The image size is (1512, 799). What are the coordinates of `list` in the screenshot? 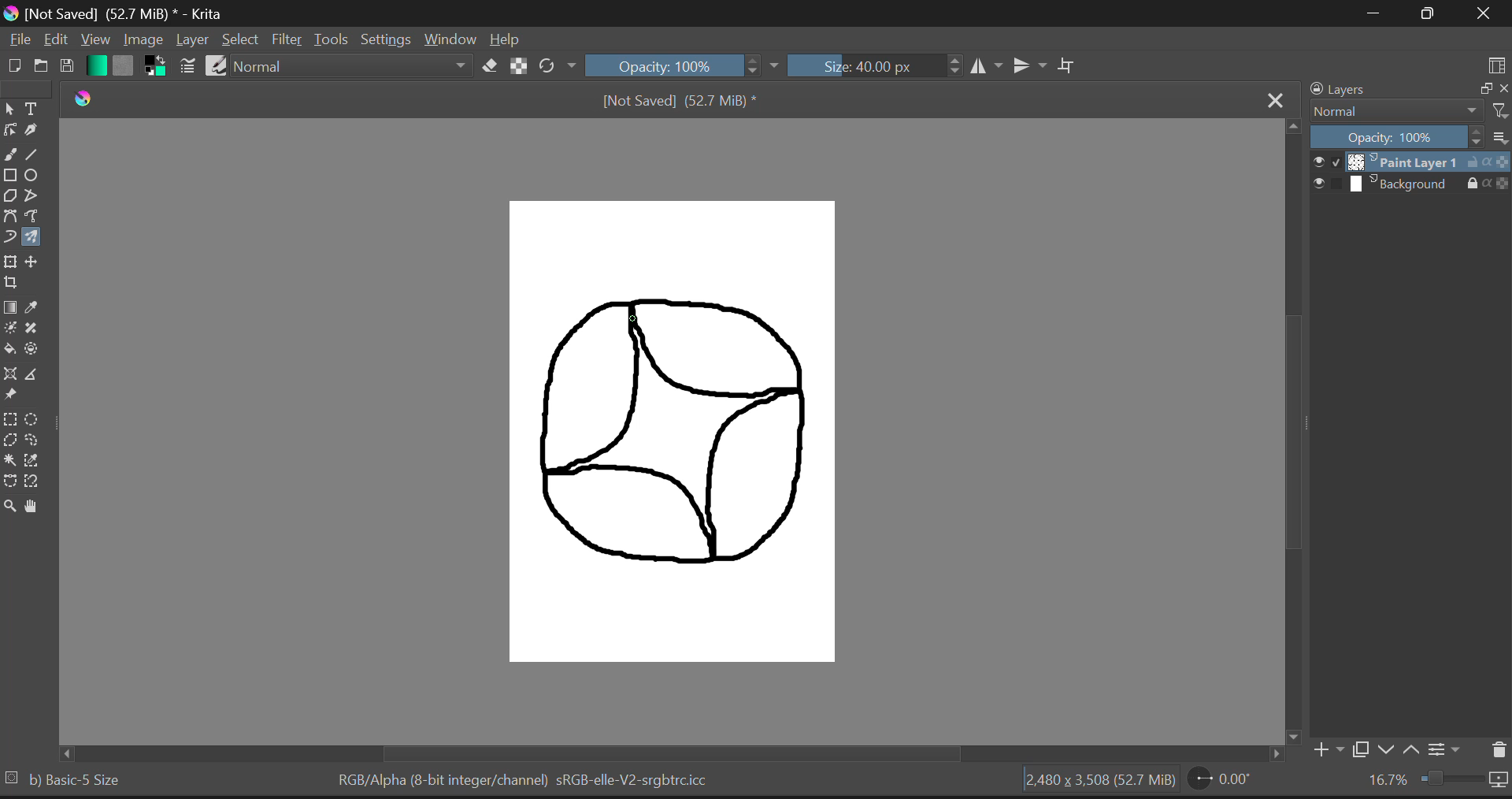 It's located at (1499, 137).